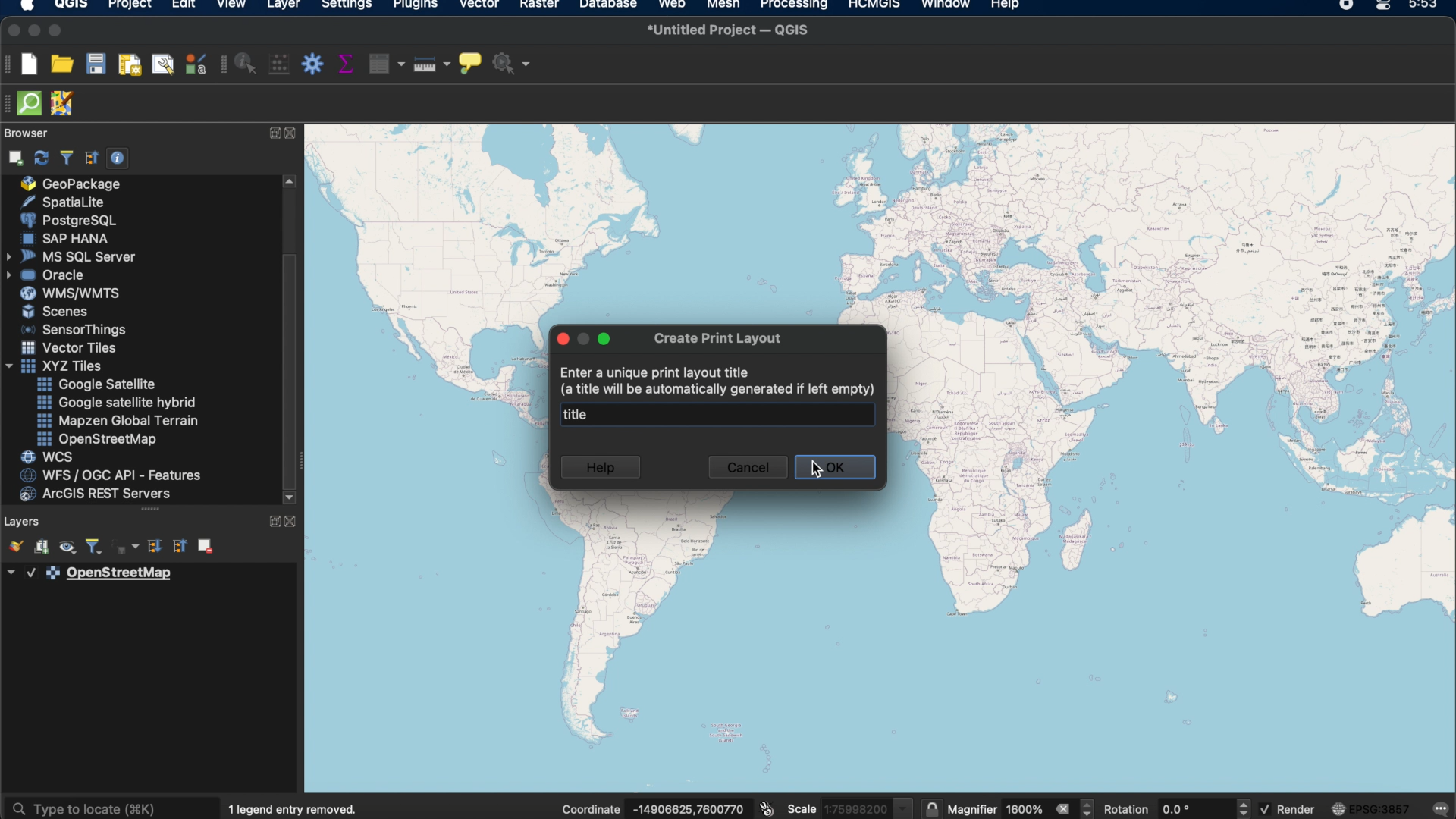 The height and width of the screenshot is (819, 1456). I want to click on view, so click(231, 7).